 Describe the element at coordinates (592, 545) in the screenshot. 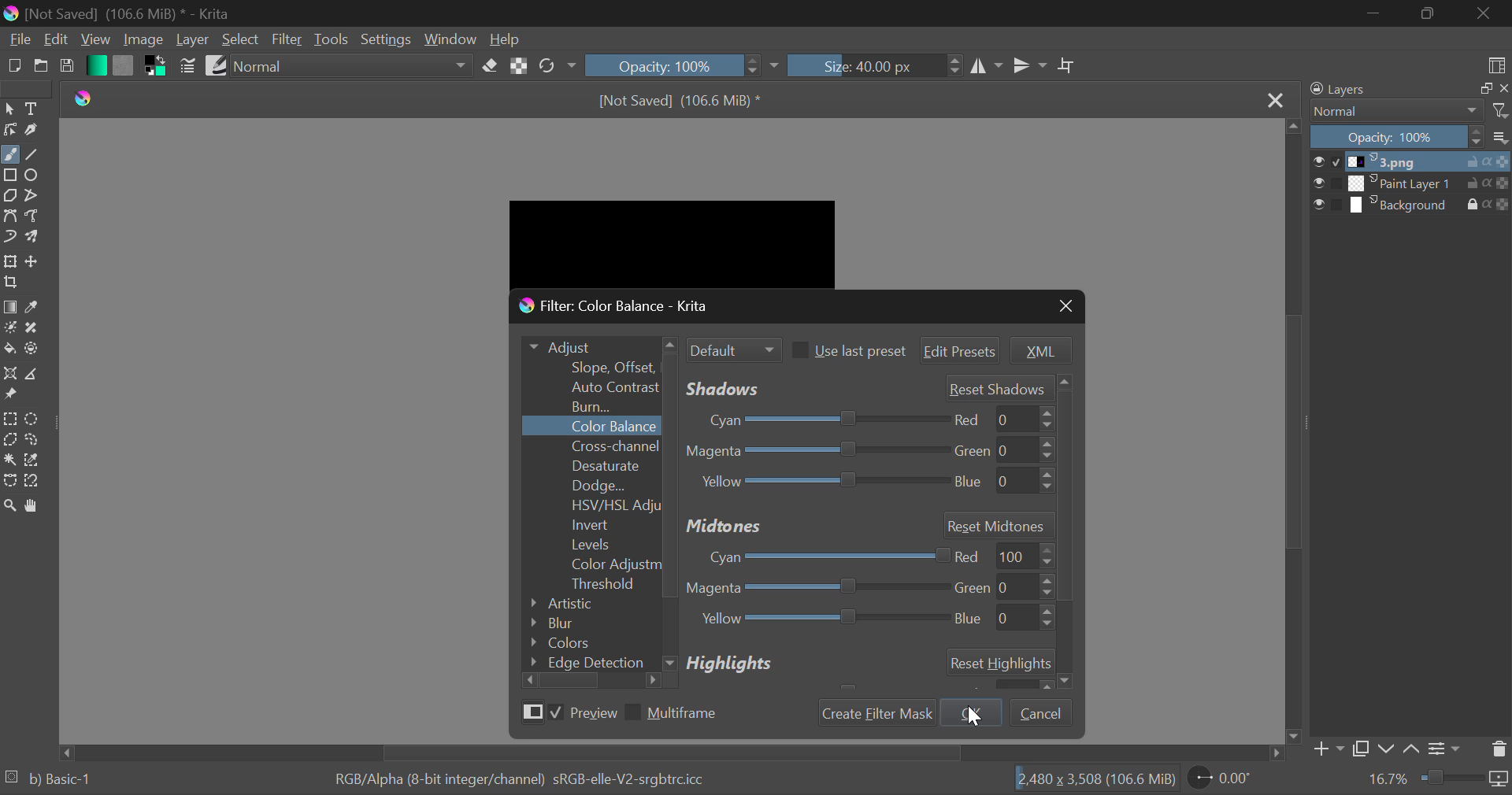

I see `Levels` at that location.